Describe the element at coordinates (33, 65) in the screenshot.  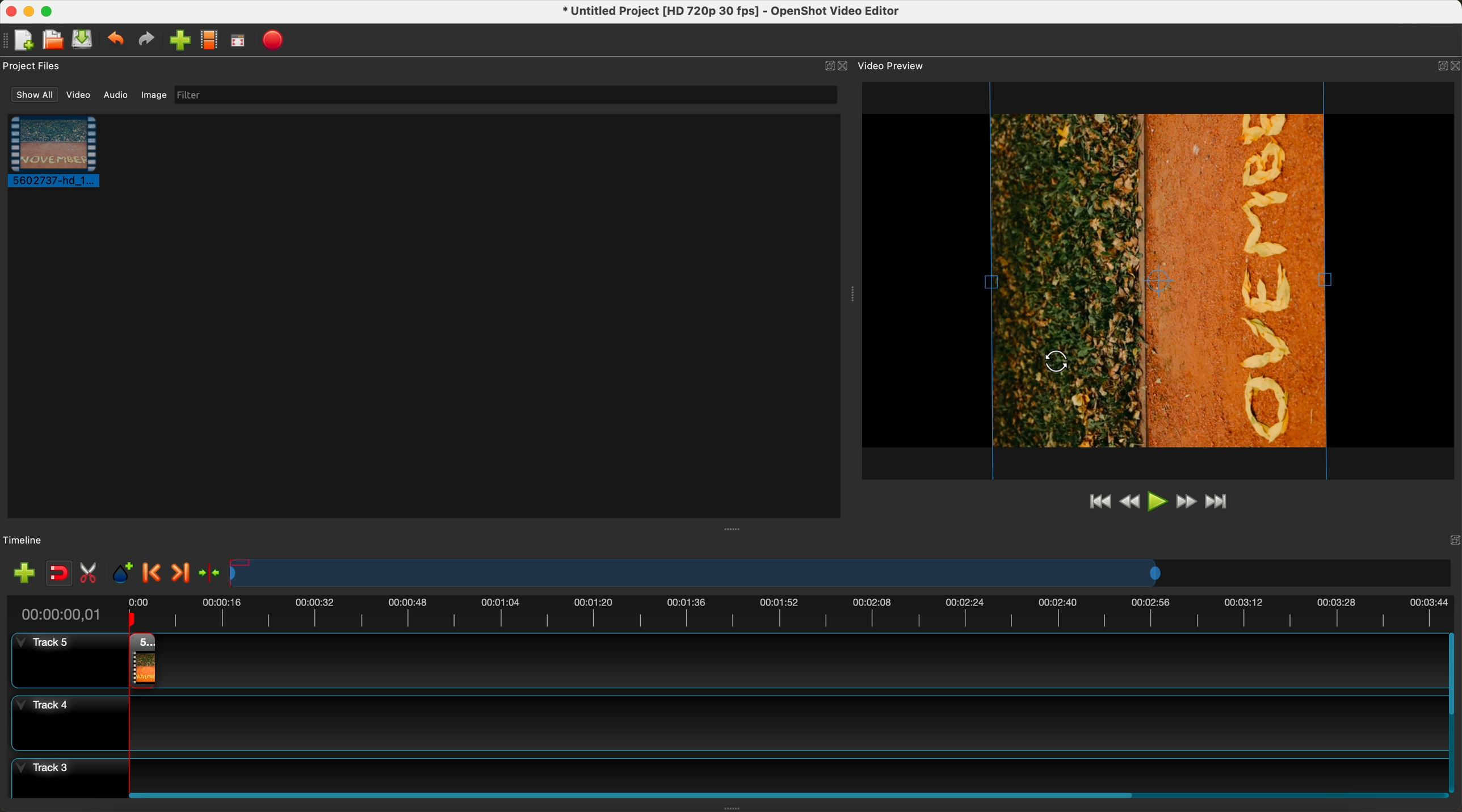
I see `project files` at that location.